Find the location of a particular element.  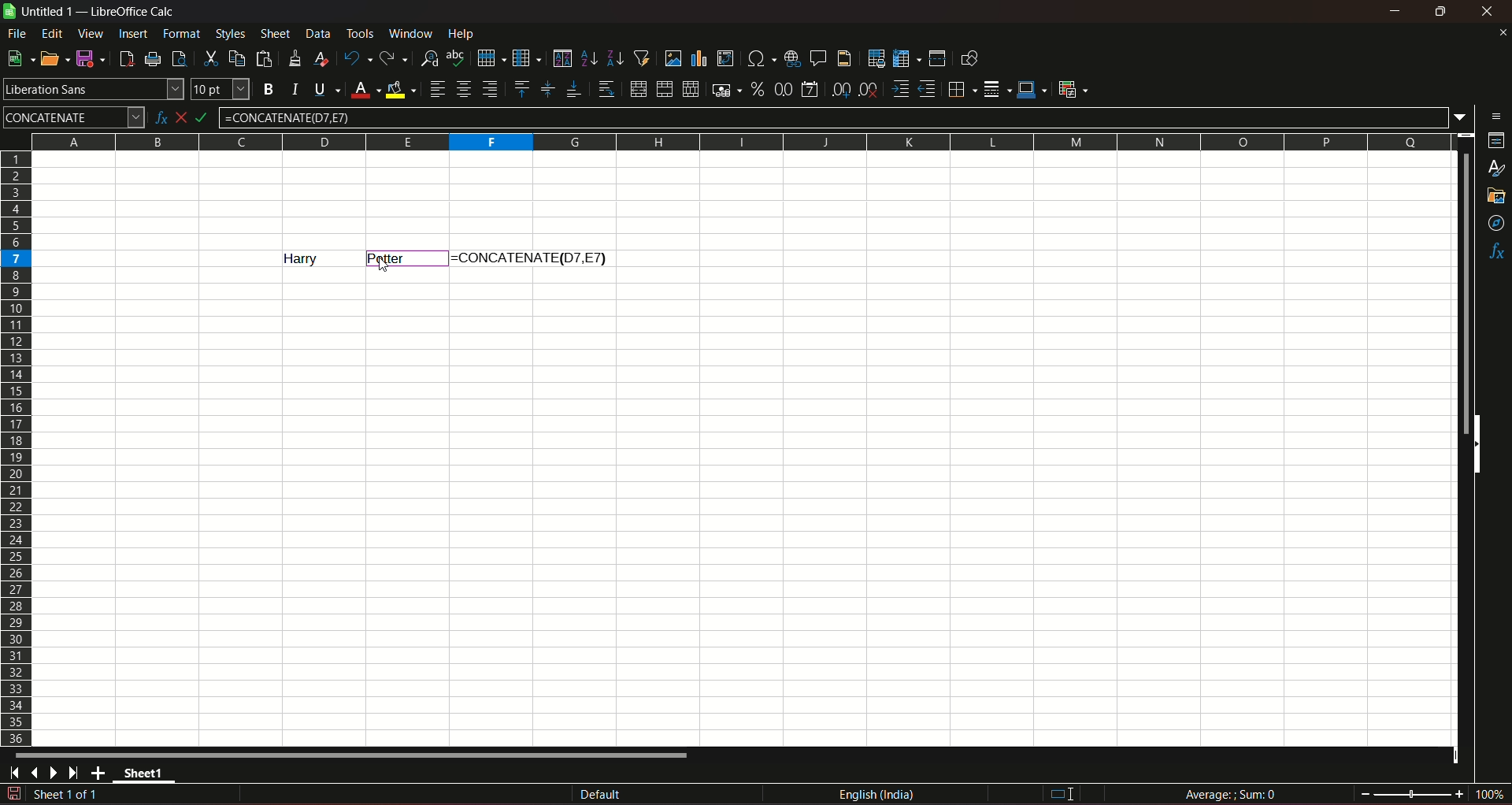

insert or edit pivot table is located at coordinates (726, 57).